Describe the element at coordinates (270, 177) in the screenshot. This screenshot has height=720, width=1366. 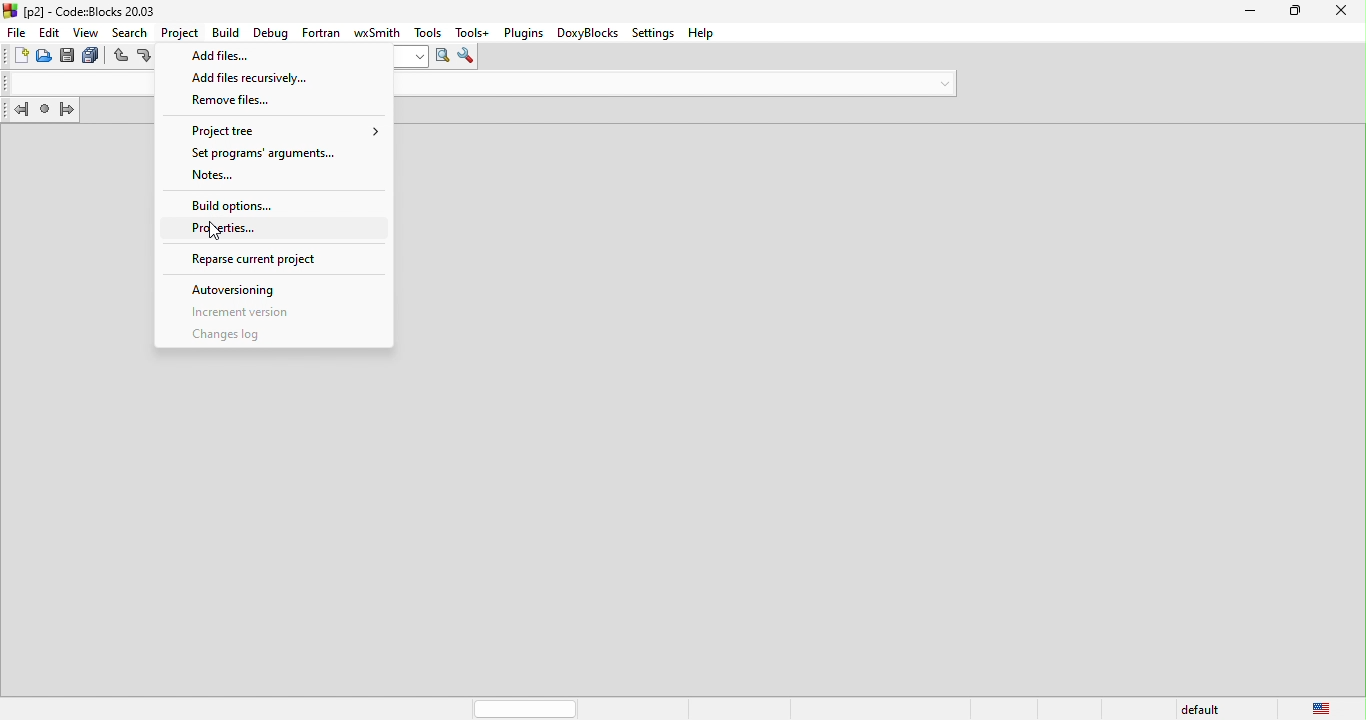
I see `notes` at that location.